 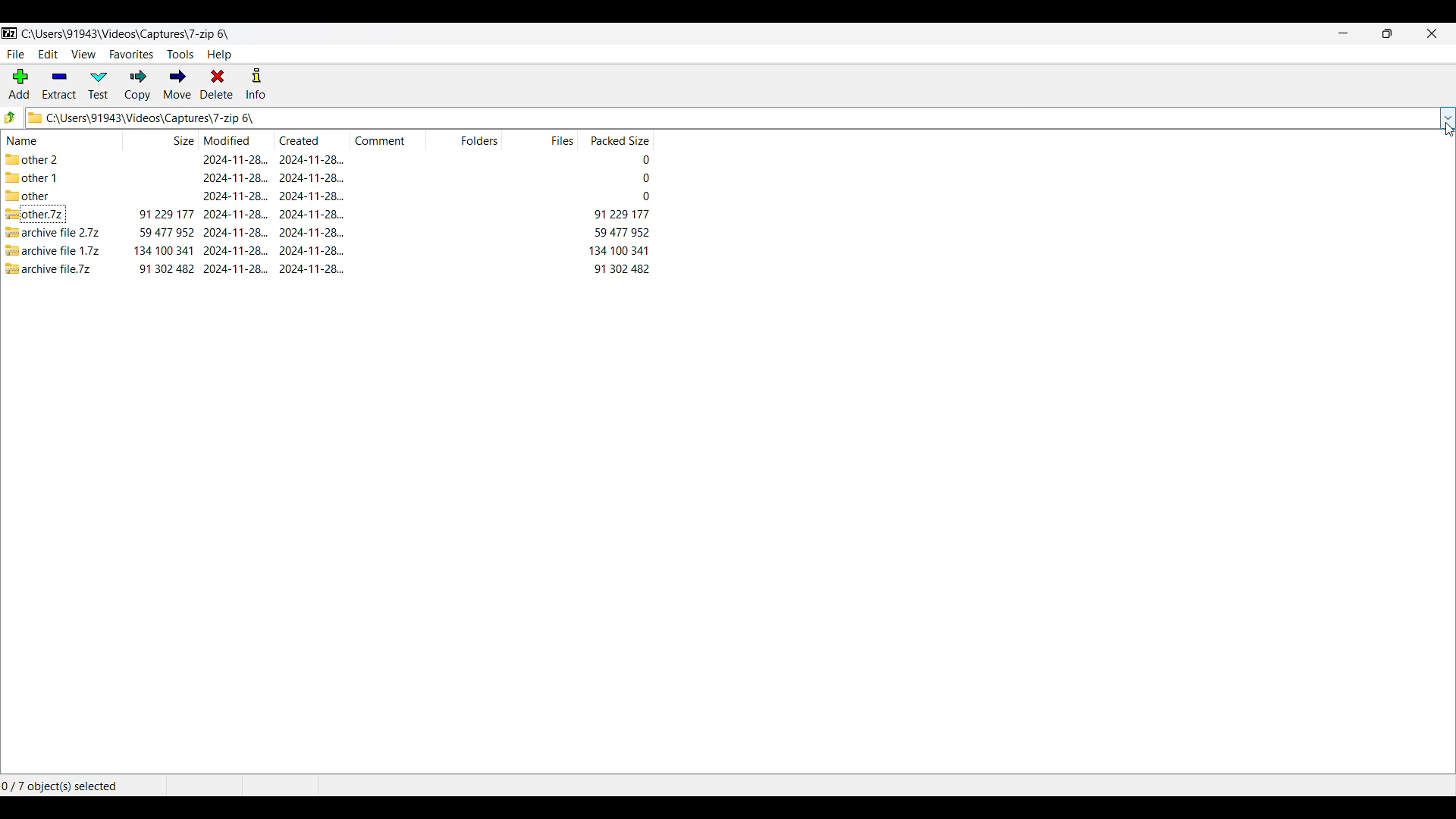 I want to click on modified date & time, so click(x=236, y=214).